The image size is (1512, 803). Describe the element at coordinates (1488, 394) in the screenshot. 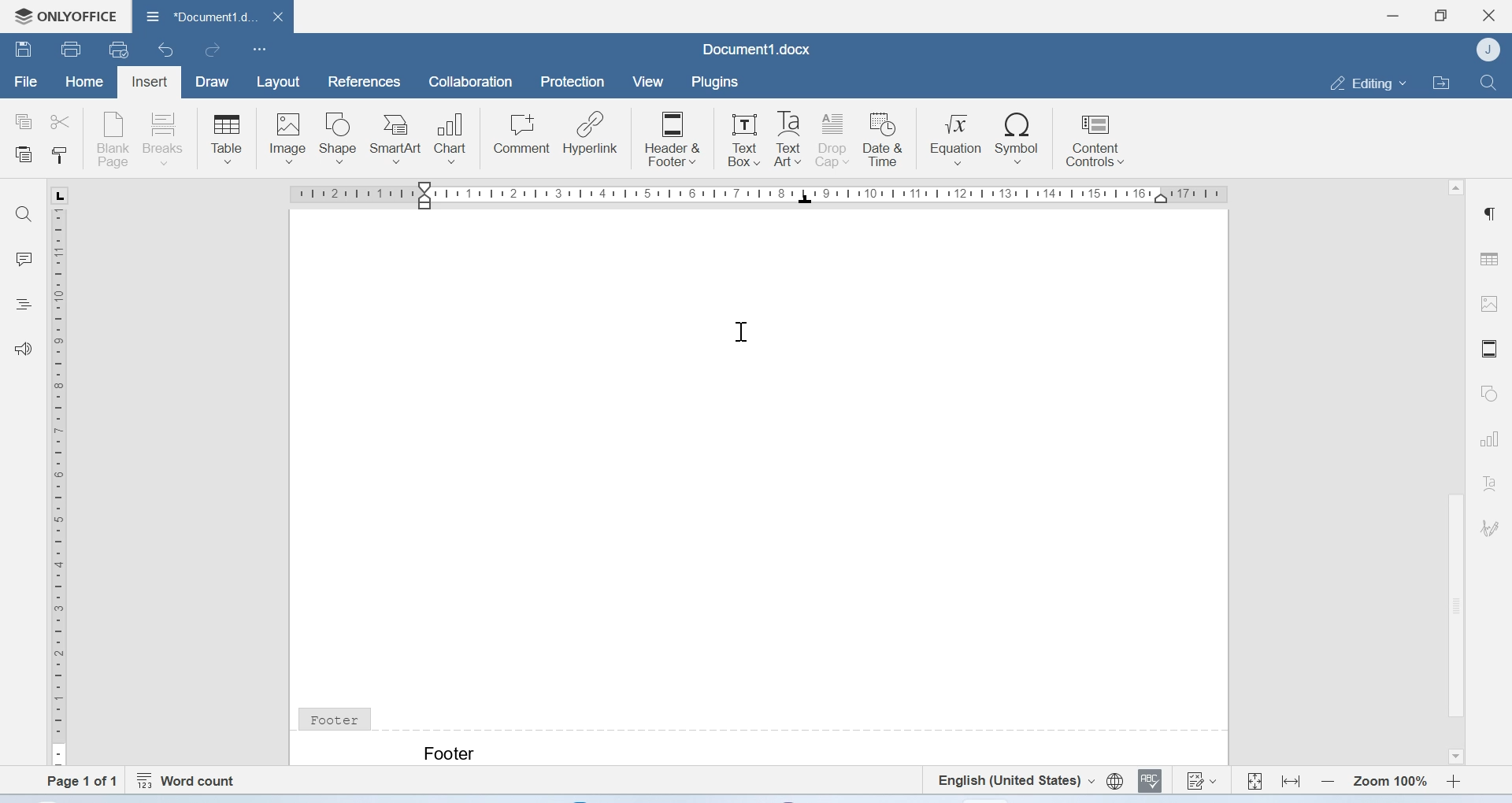

I see `Shapes` at that location.